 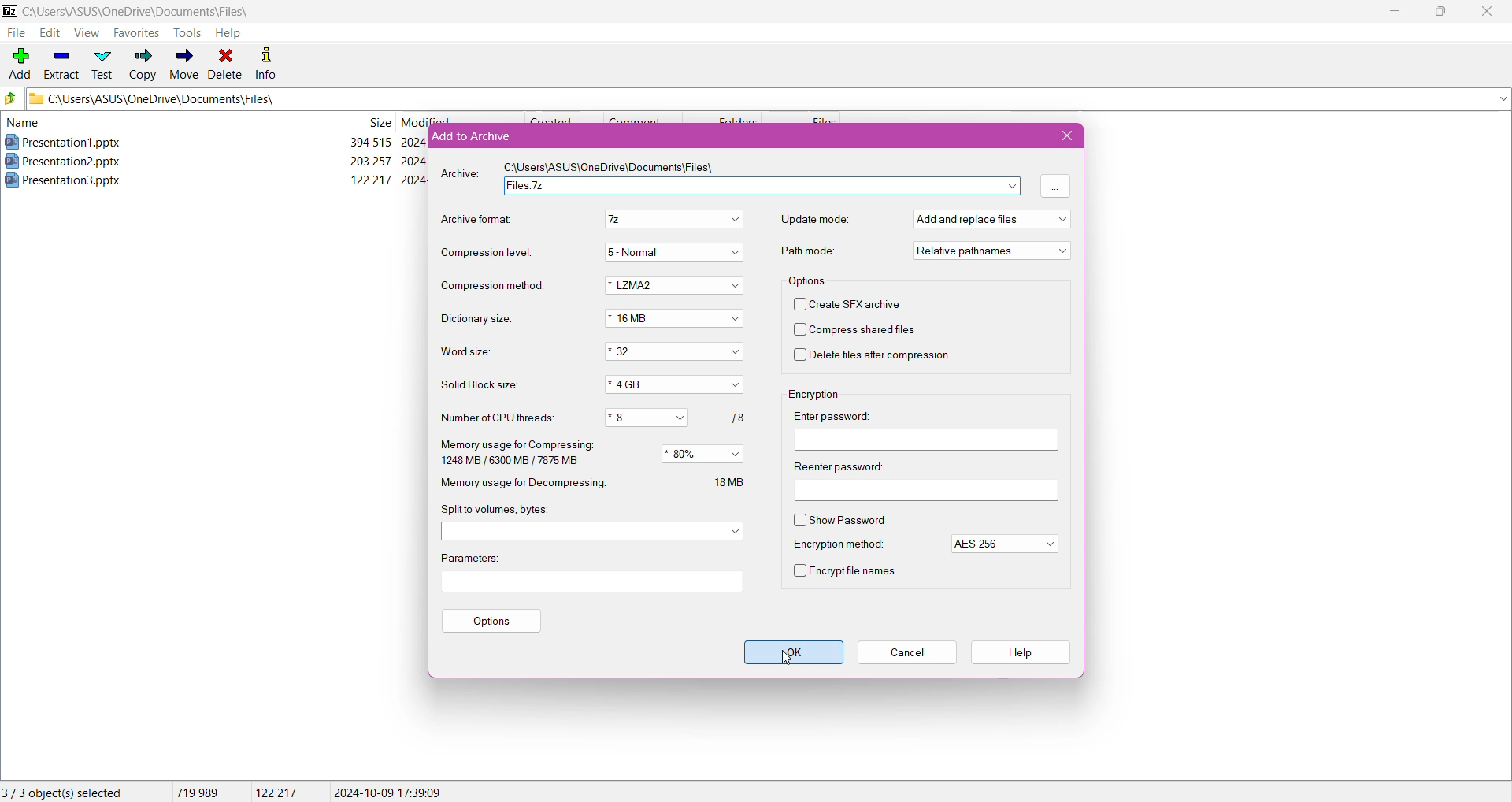 I want to click on Delete, so click(x=226, y=63).